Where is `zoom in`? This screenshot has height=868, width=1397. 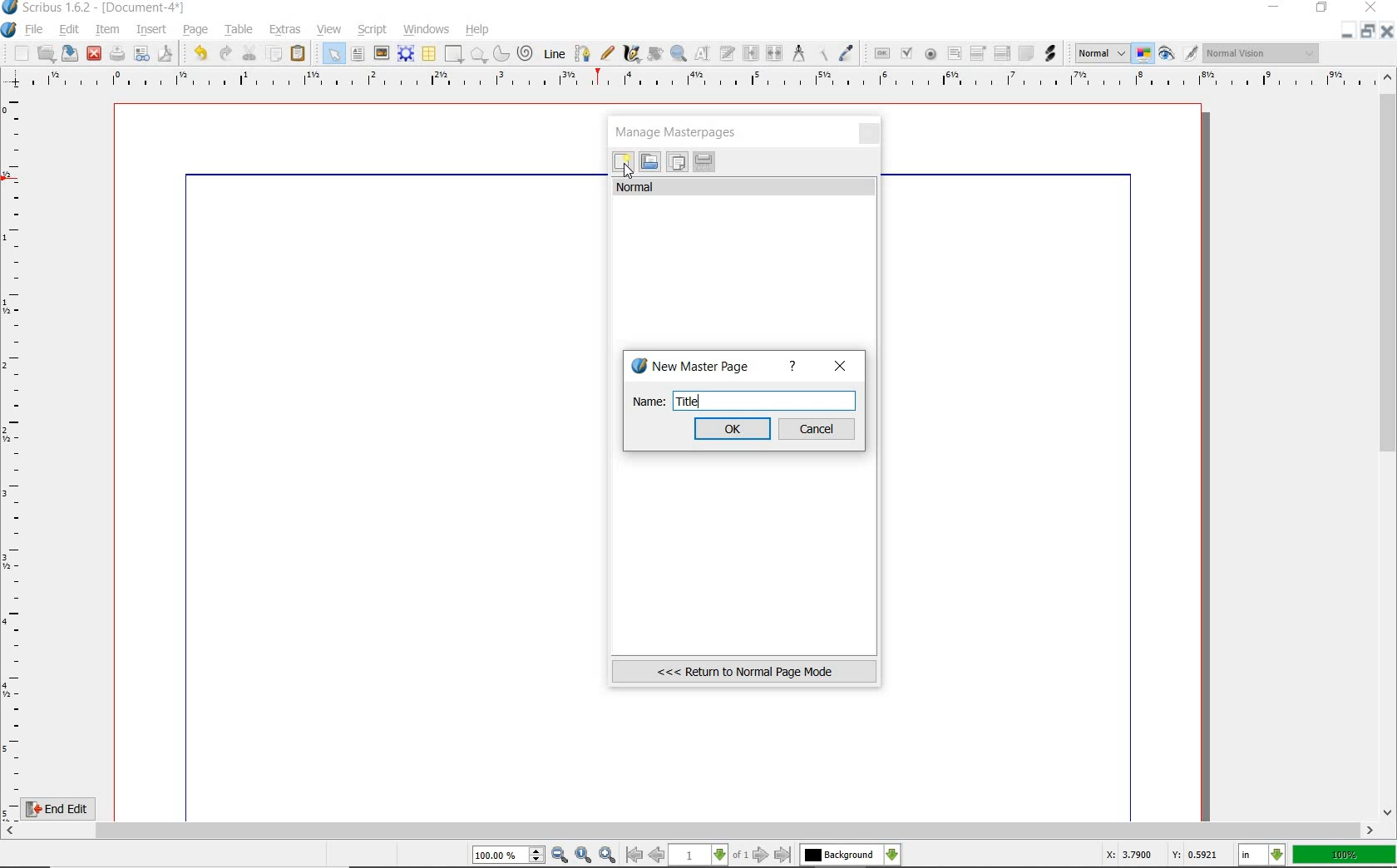
zoom in is located at coordinates (607, 854).